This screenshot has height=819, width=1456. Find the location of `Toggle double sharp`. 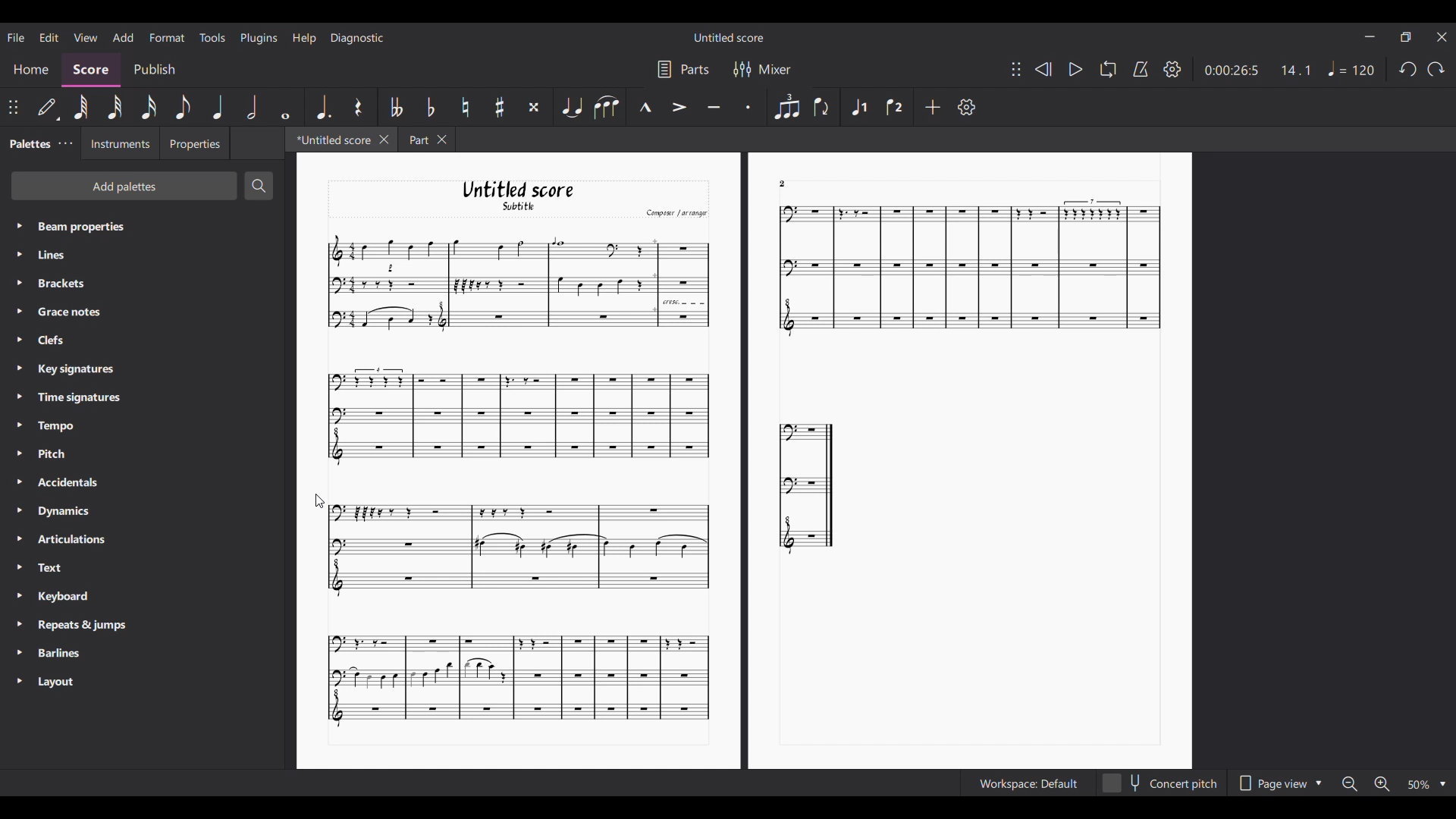

Toggle double sharp is located at coordinates (534, 107).